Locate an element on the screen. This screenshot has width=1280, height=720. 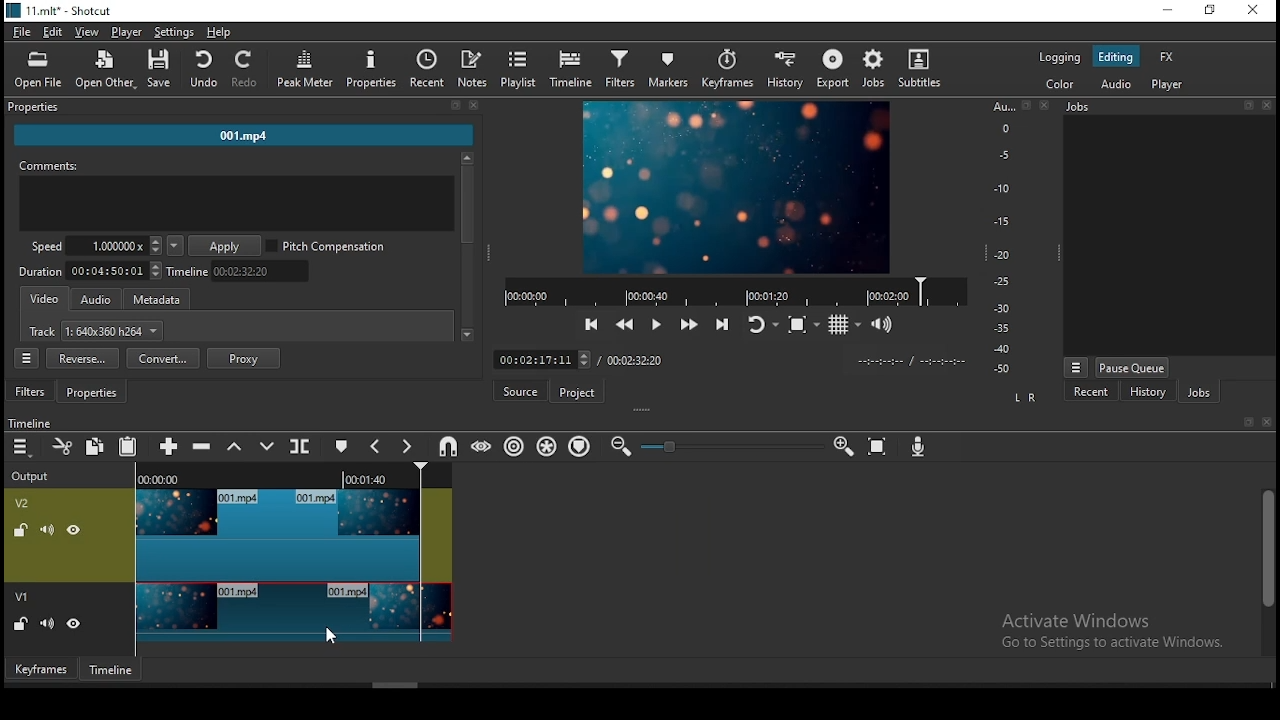
cut is located at coordinates (64, 448).